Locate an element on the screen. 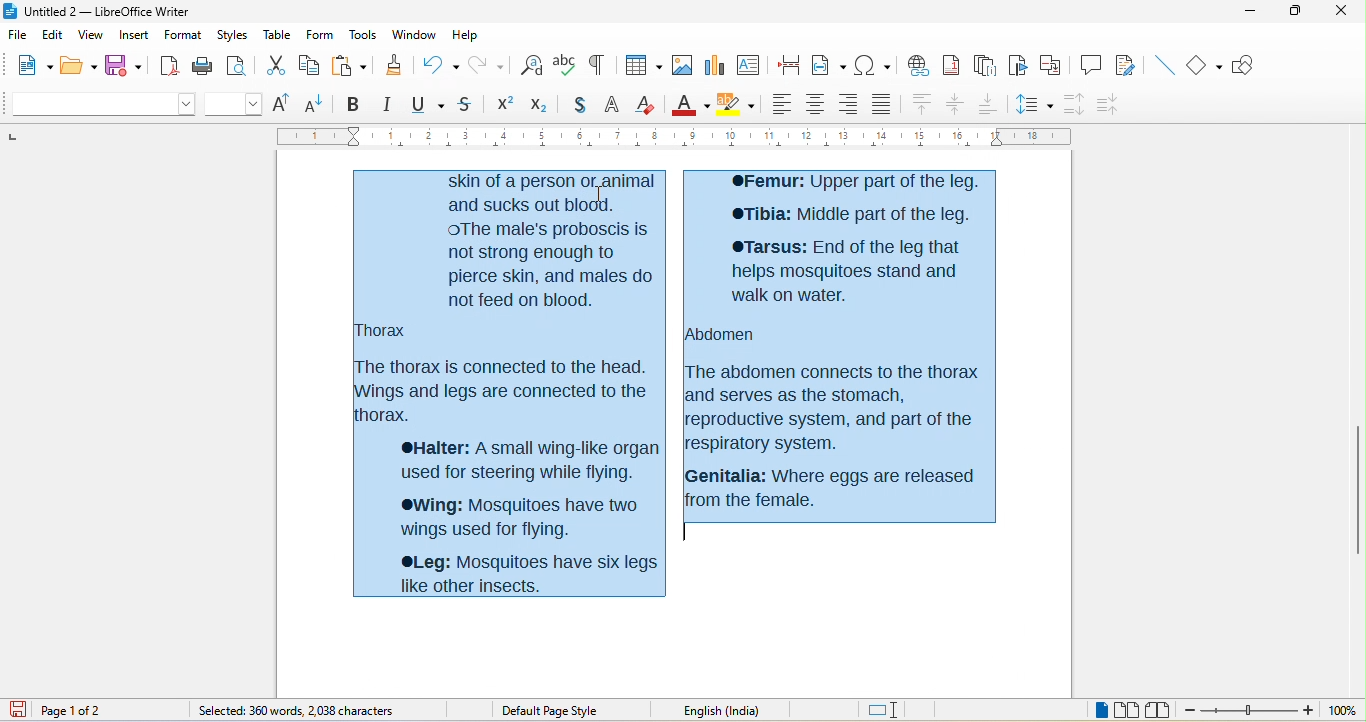 The height and width of the screenshot is (722, 1366). edit is located at coordinates (52, 35).